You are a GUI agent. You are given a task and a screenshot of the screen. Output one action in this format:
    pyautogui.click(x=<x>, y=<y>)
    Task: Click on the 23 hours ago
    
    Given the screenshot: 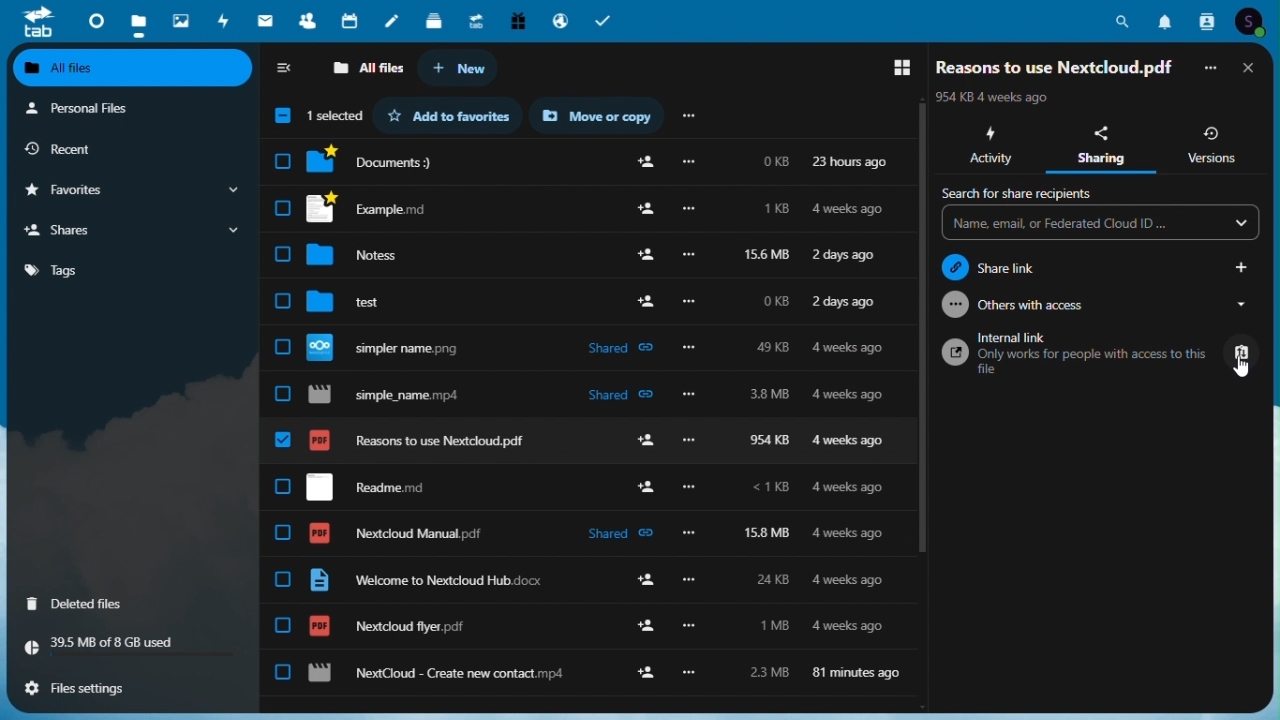 What is the action you would take?
    pyautogui.click(x=850, y=161)
    